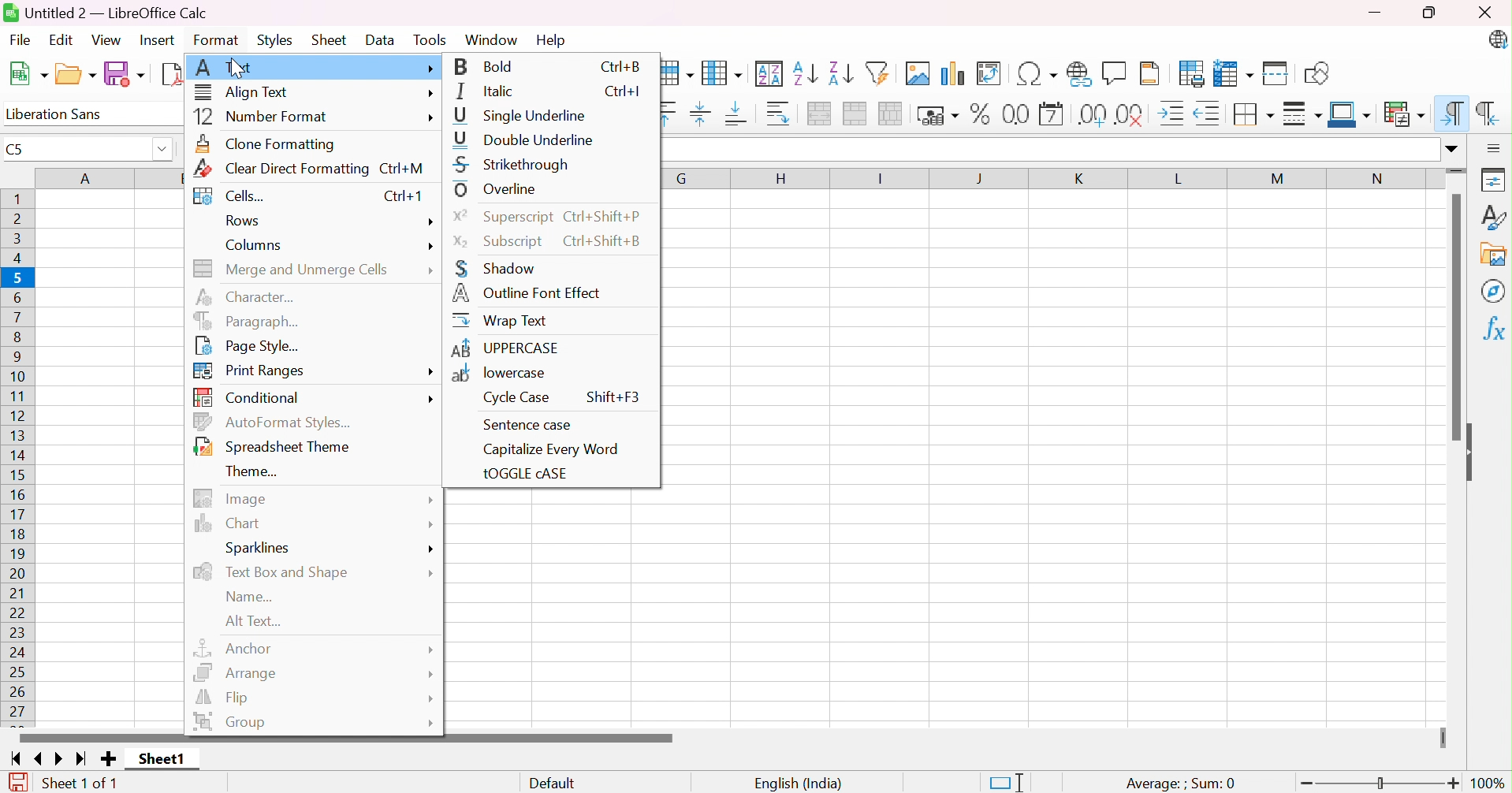 The image size is (1512, 793). I want to click on Merge Cells, so click(858, 114).